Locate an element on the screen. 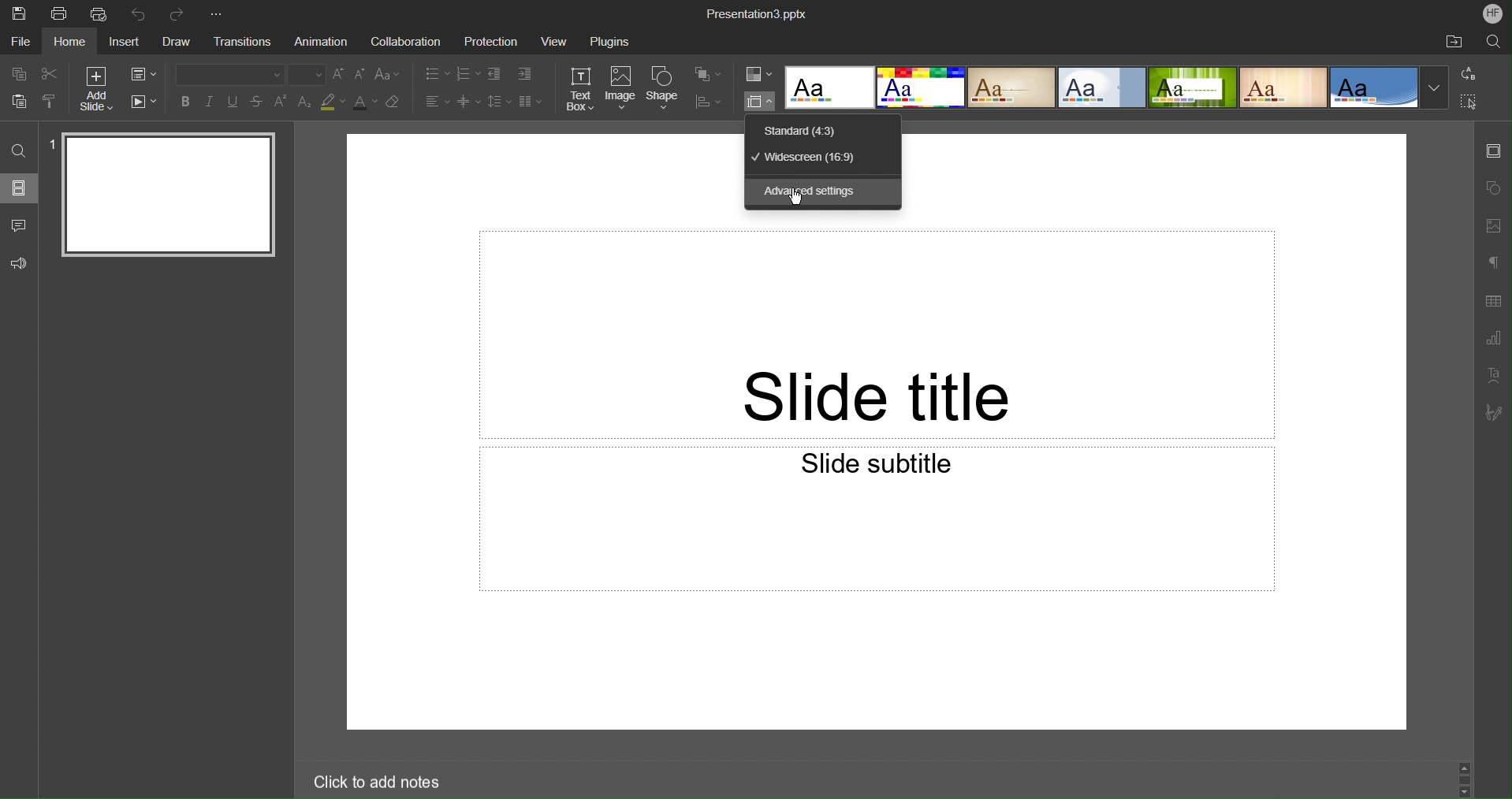  Select All is located at coordinates (1470, 102).